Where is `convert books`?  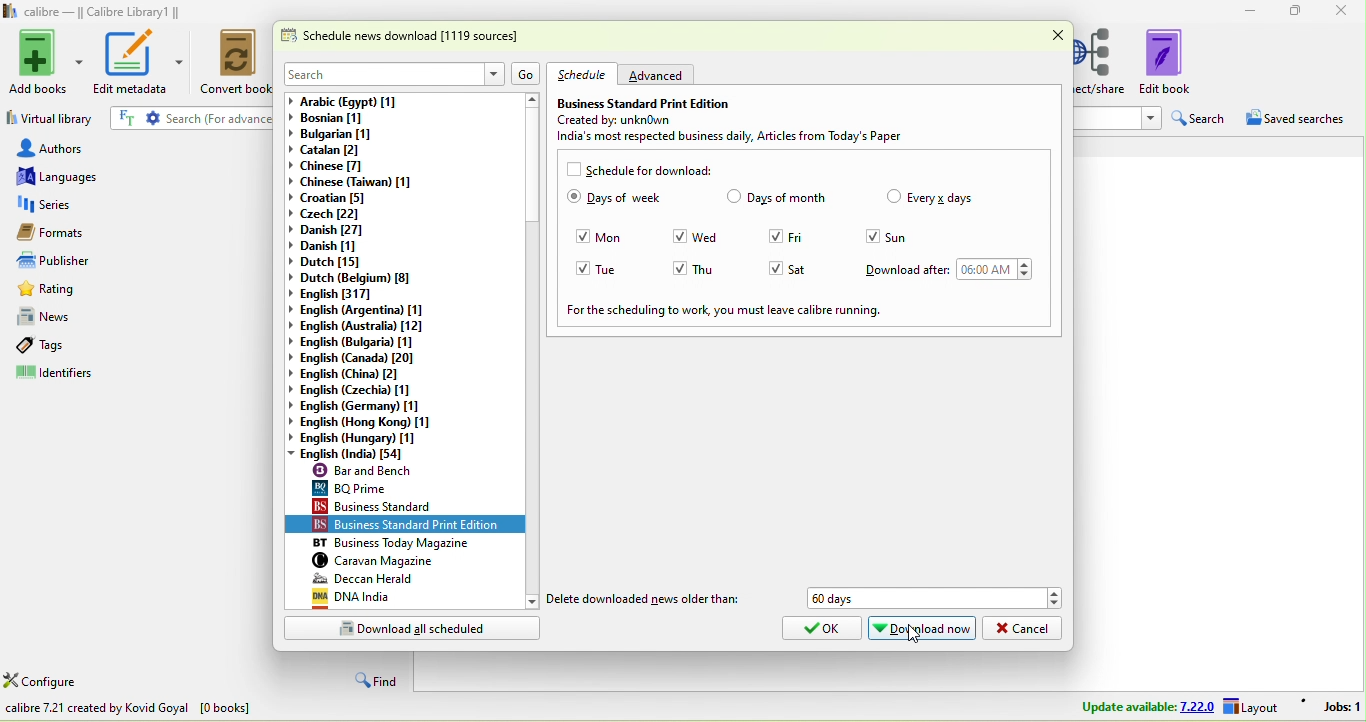 convert books is located at coordinates (234, 63).